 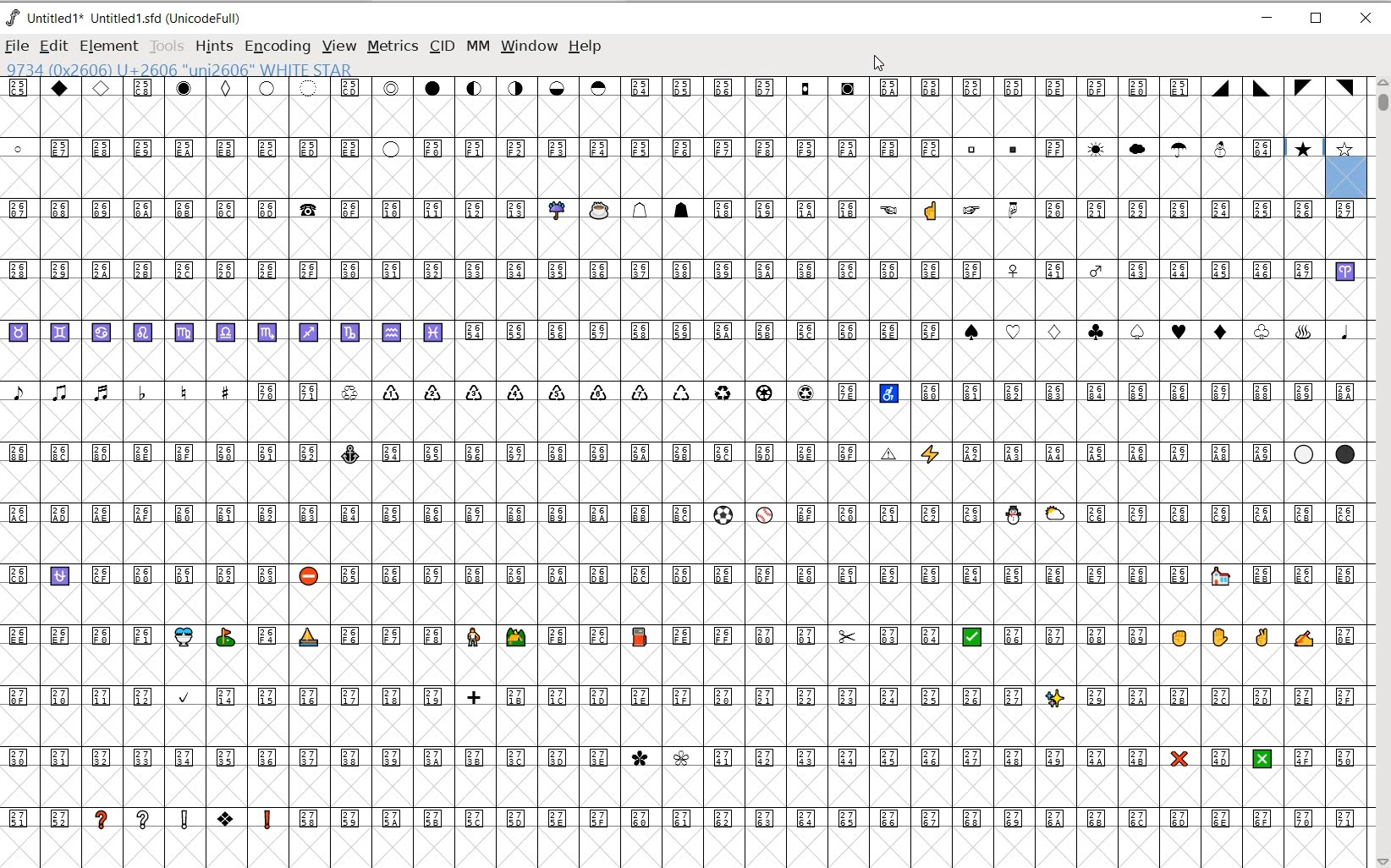 What do you see at coordinates (16, 47) in the screenshot?
I see `FILE` at bounding box center [16, 47].